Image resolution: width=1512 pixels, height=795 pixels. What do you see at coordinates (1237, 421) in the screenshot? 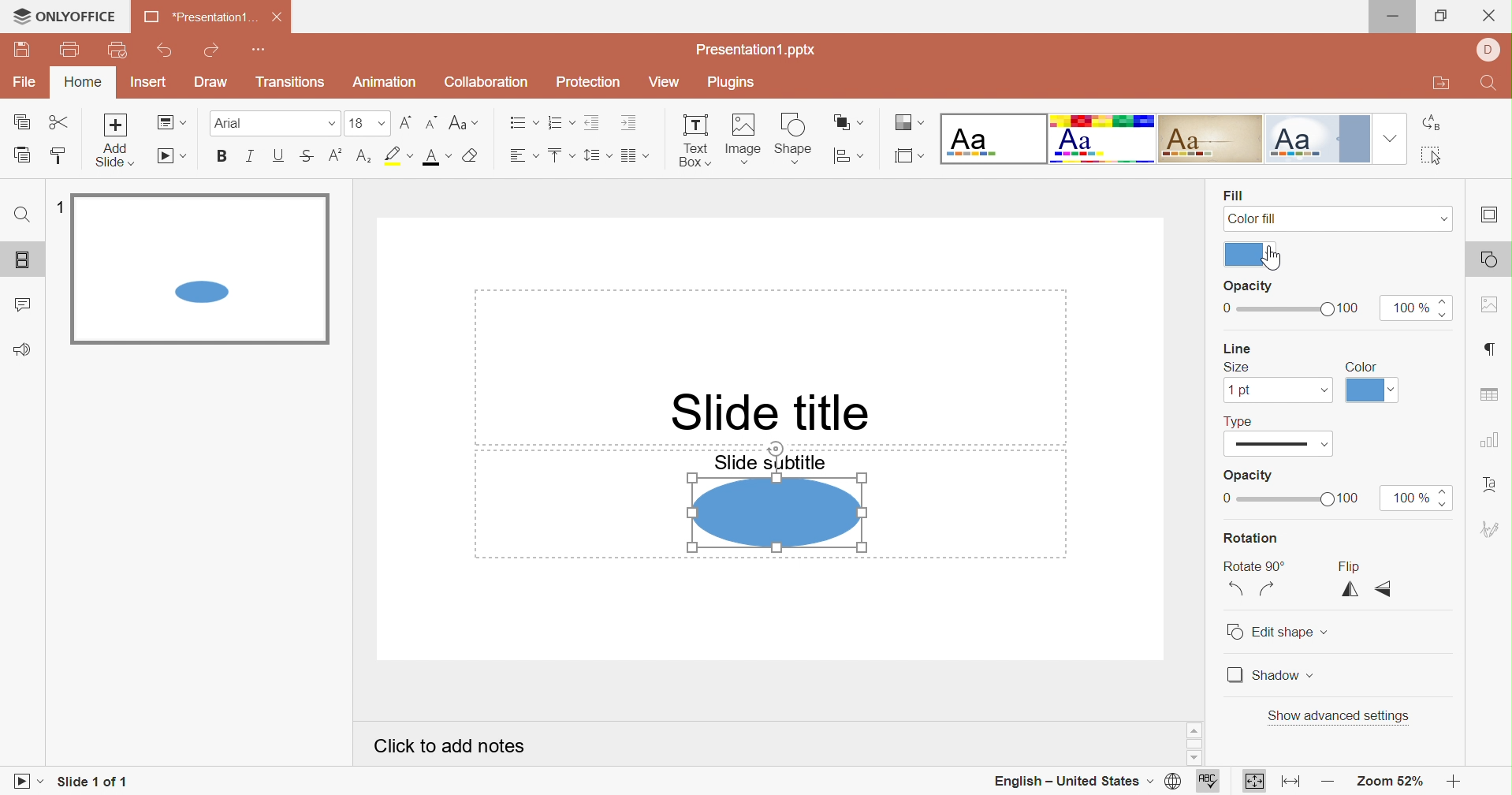
I see `Type` at bounding box center [1237, 421].